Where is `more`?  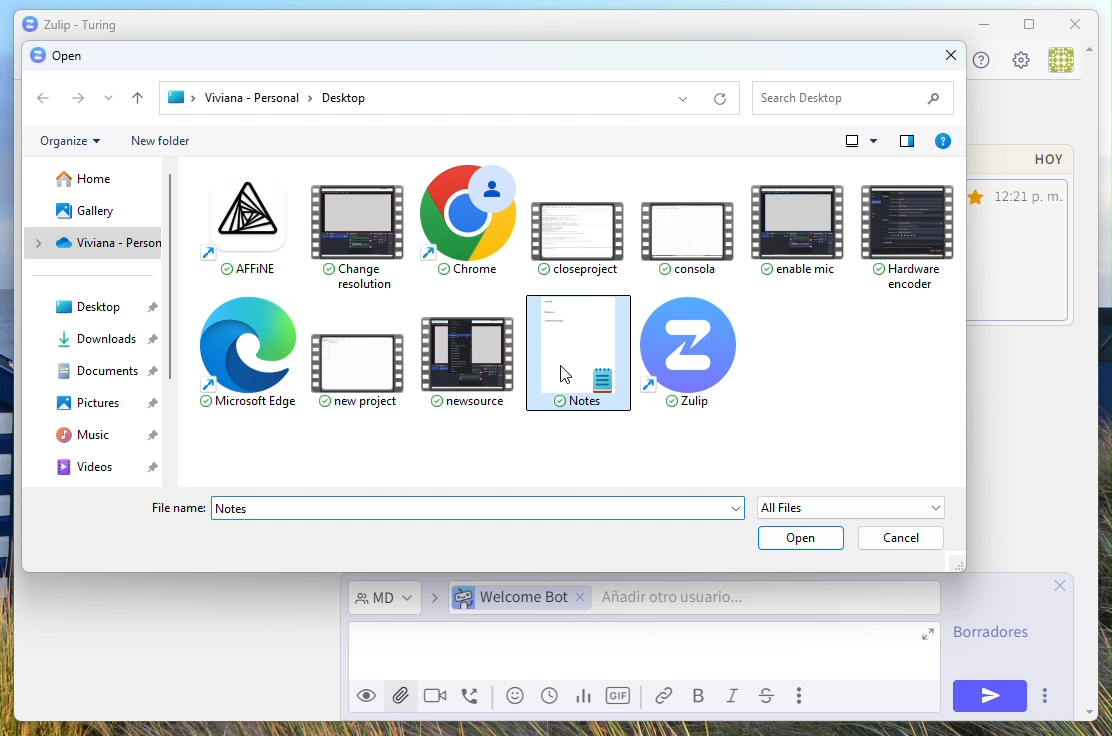
more is located at coordinates (803, 696).